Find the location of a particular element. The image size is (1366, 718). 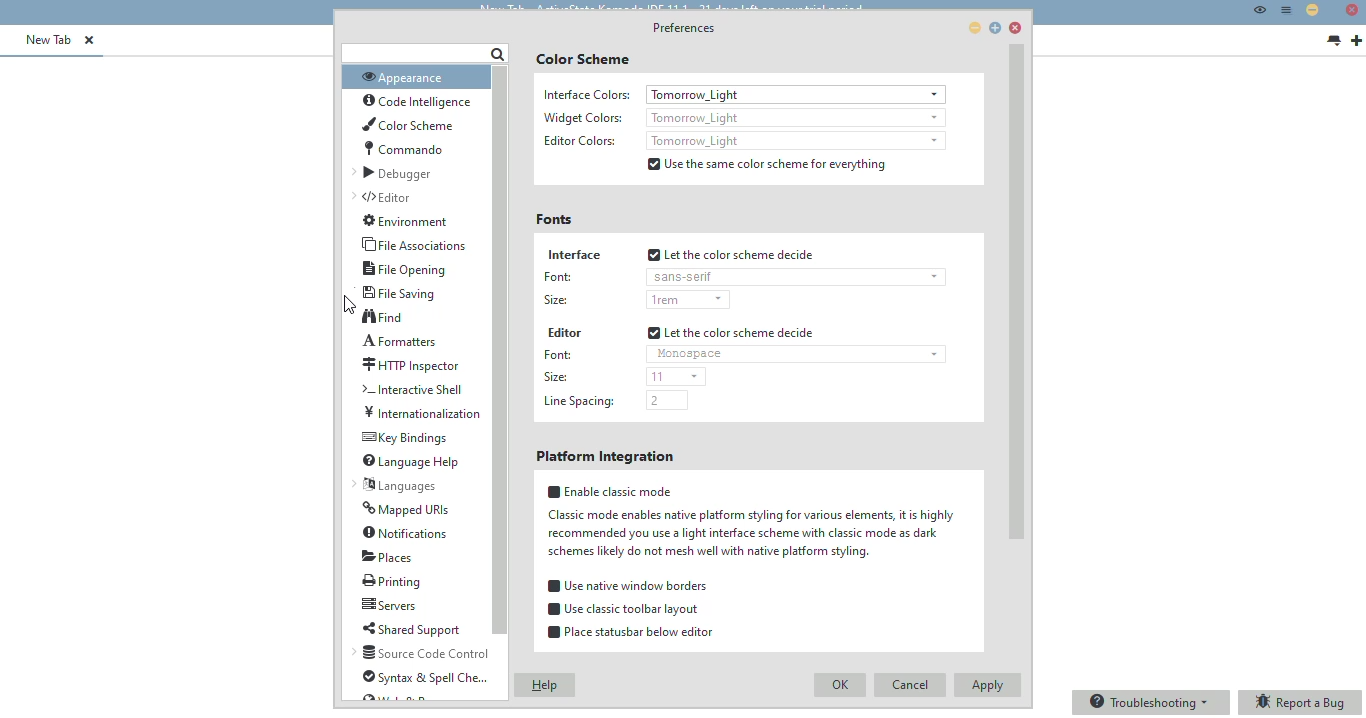

editor is located at coordinates (382, 196).